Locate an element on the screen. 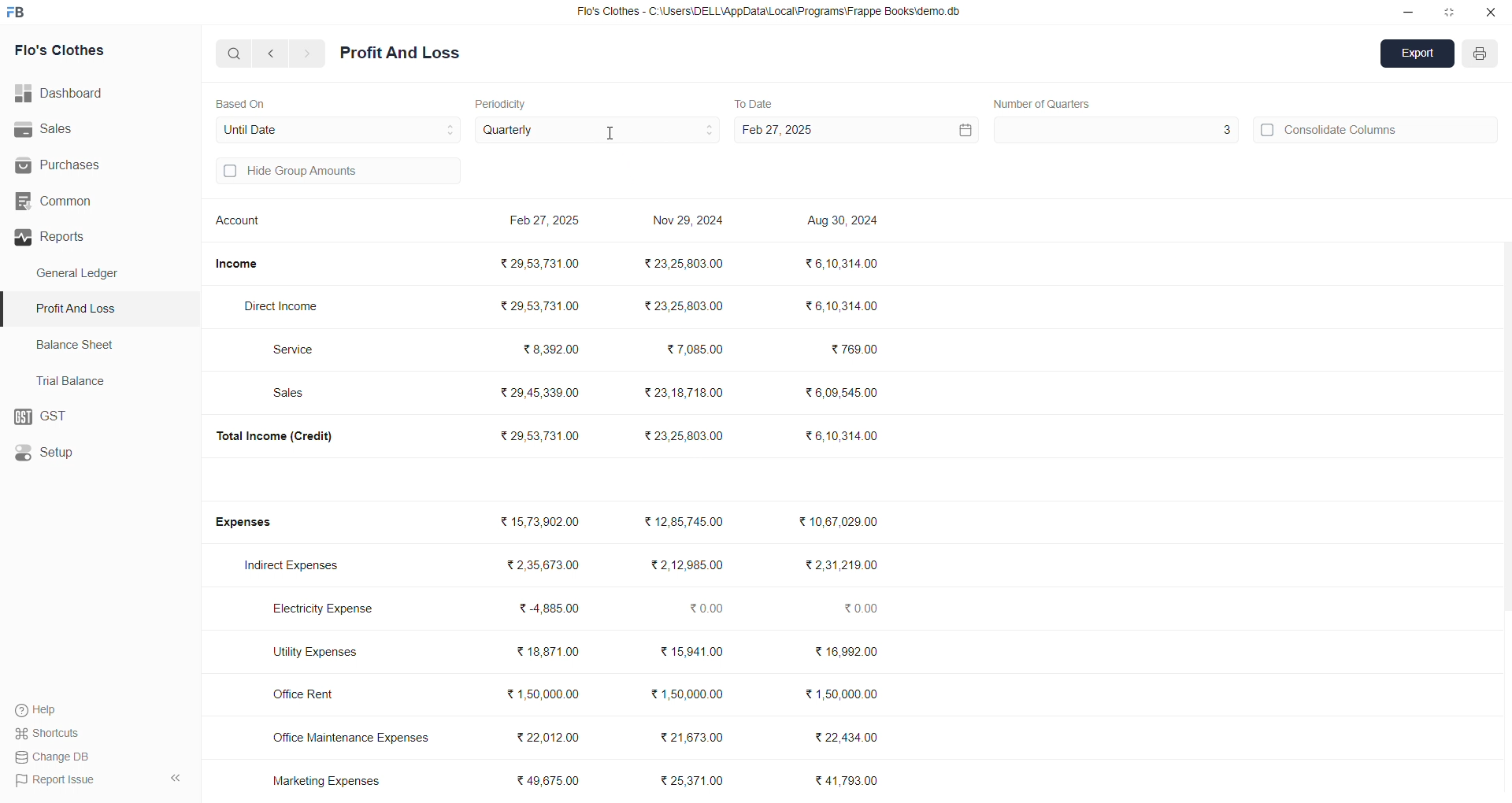  ₹2,35,673.00 is located at coordinates (543, 565).